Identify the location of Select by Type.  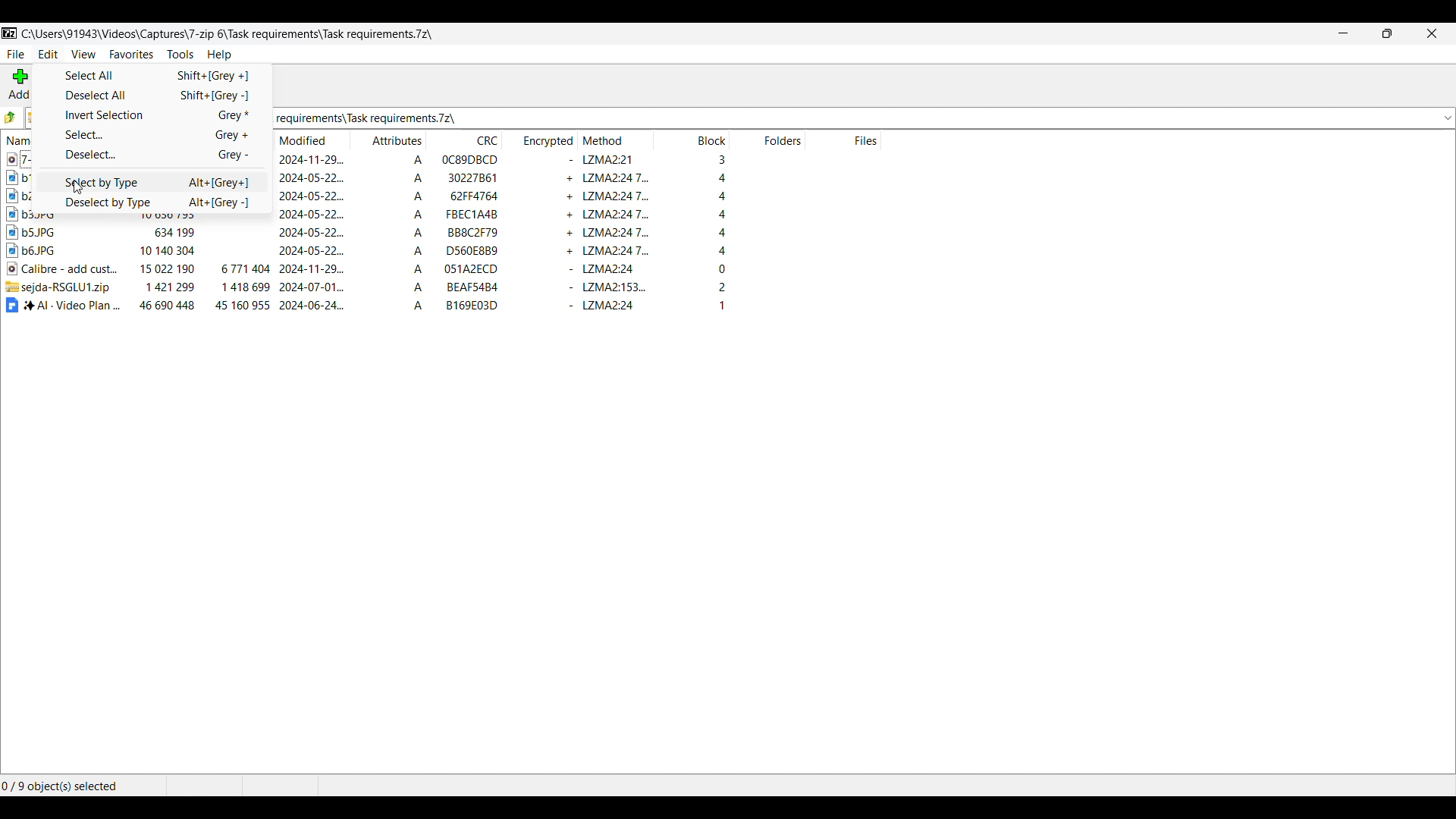
(154, 183).